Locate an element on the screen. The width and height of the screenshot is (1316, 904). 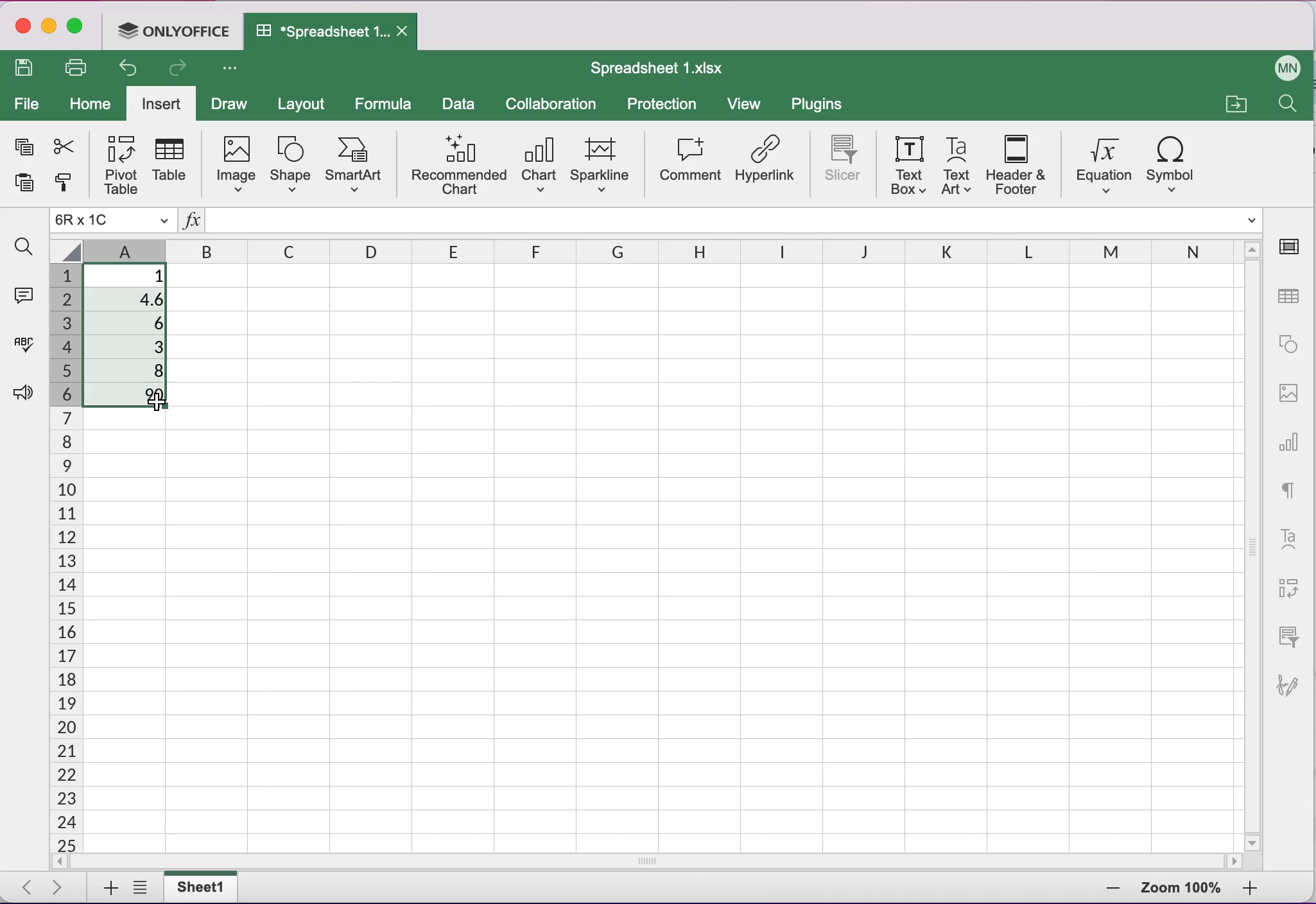
comment is located at coordinates (689, 164).